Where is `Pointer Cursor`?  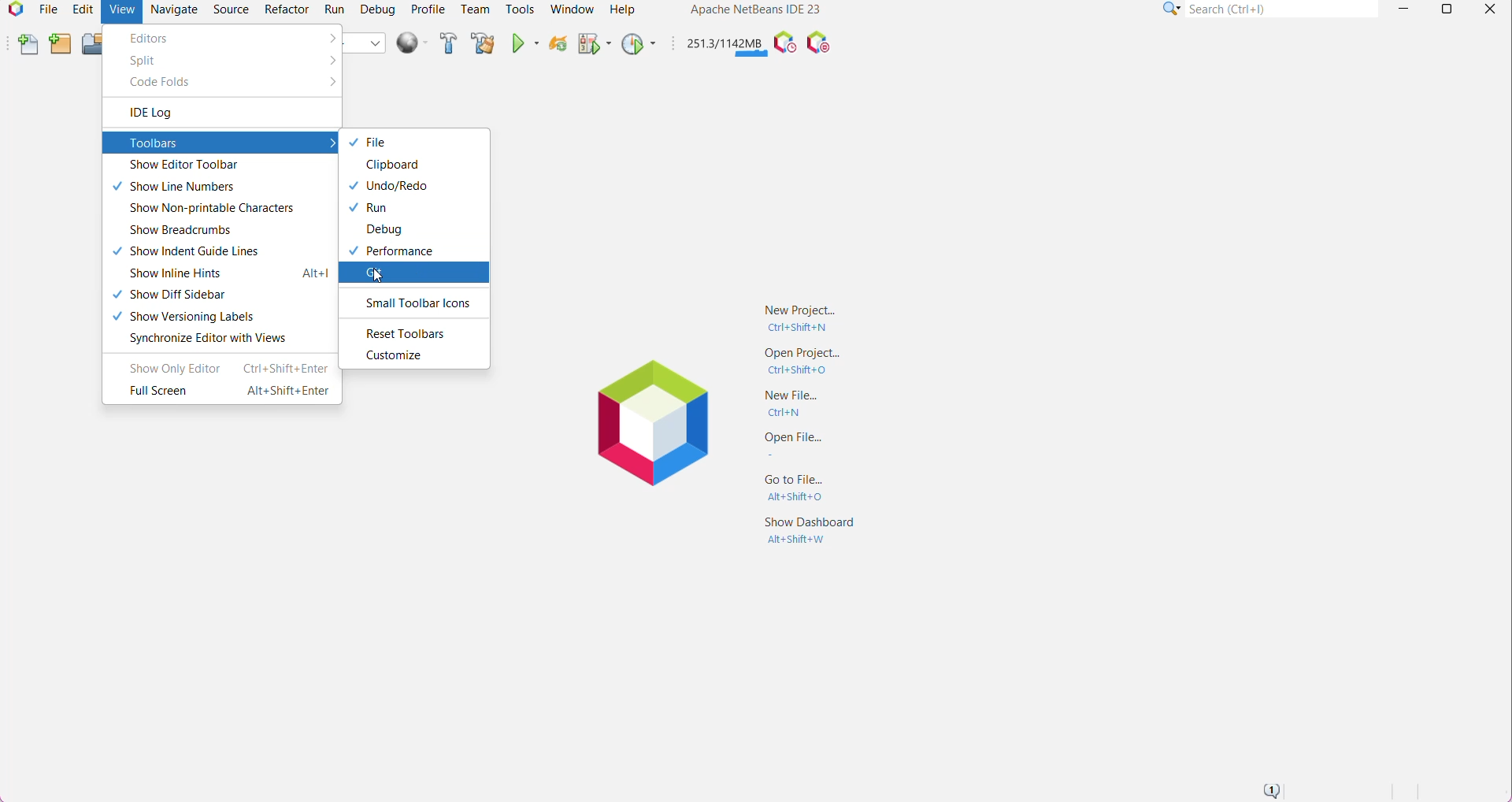 Pointer Cursor is located at coordinates (380, 273).